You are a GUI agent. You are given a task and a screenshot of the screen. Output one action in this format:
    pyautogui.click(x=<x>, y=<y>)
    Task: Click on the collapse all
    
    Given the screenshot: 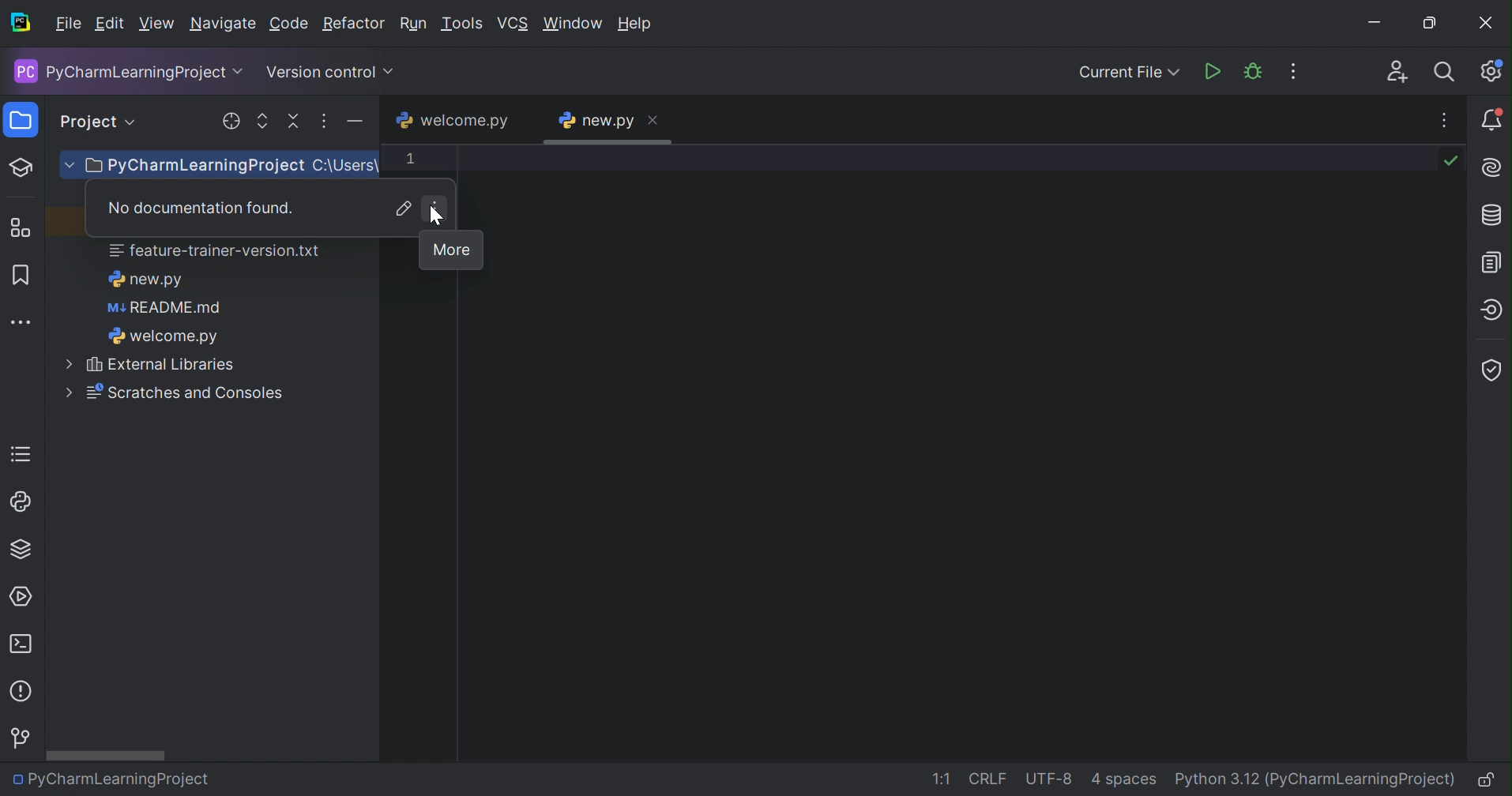 What is the action you would take?
    pyautogui.click(x=292, y=122)
    